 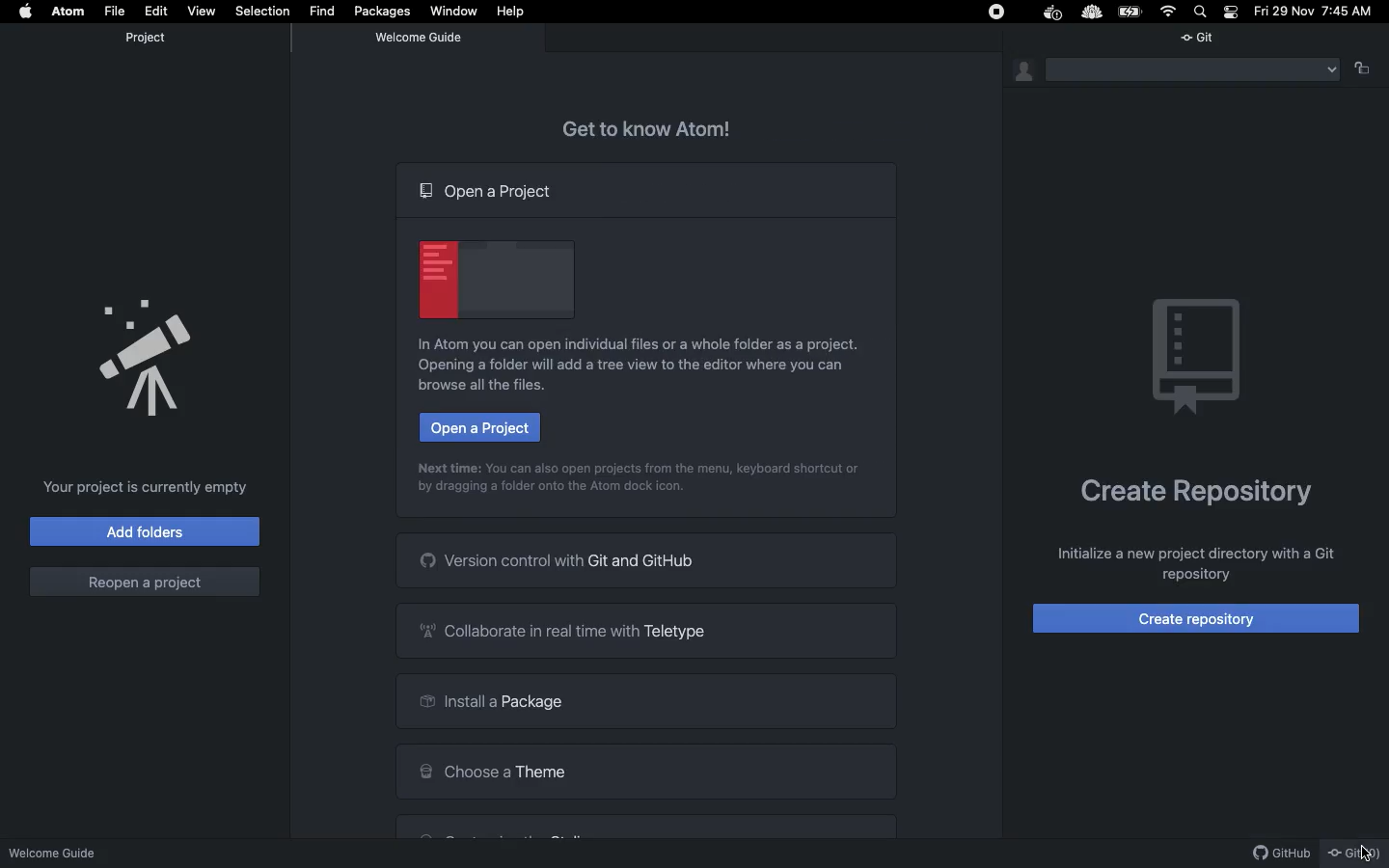 I want to click on Git, so click(x=1209, y=38).